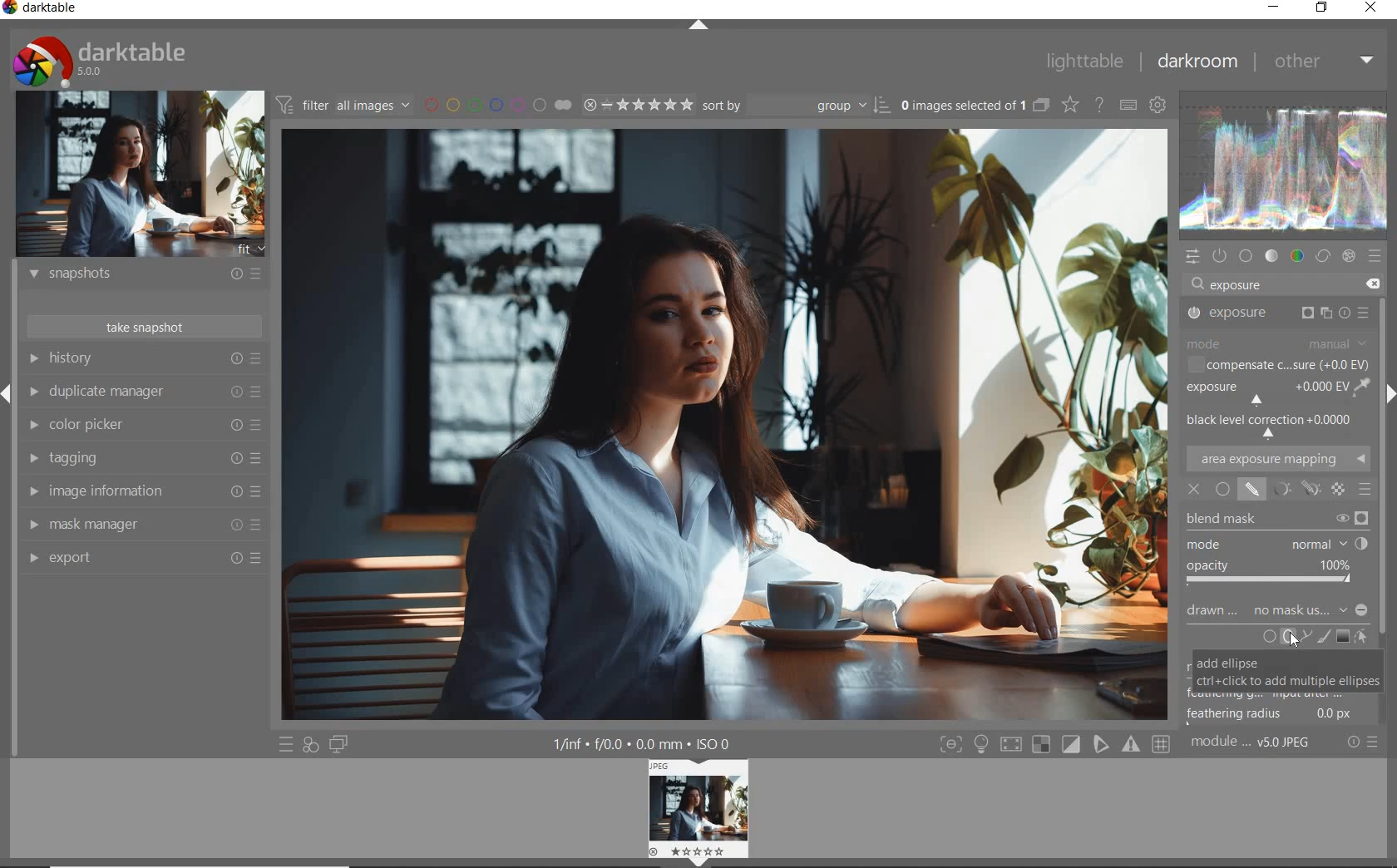  Describe the element at coordinates (1277, 457) in the screenshot. I see `AREA EXPOSURE MAPPING` at that location.